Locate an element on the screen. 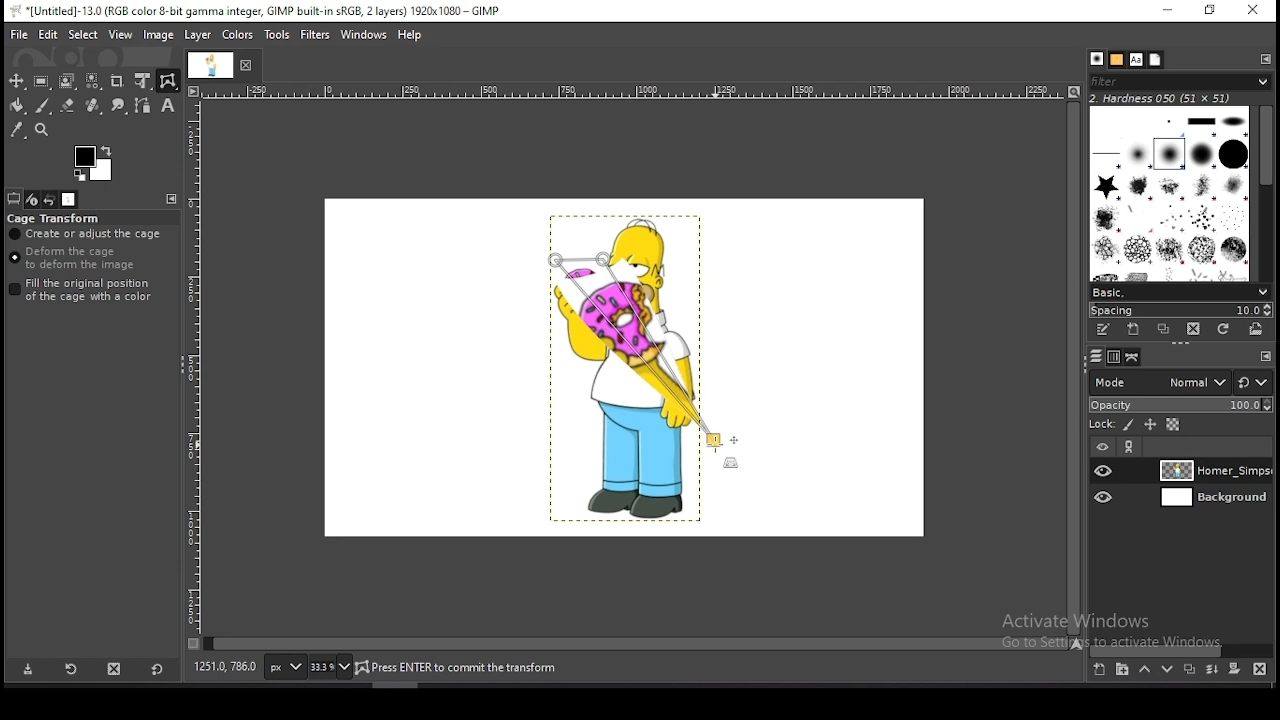 Image resolution: width=1280 pixels, height=720 pixels. help is located at coordinates (410, 35).